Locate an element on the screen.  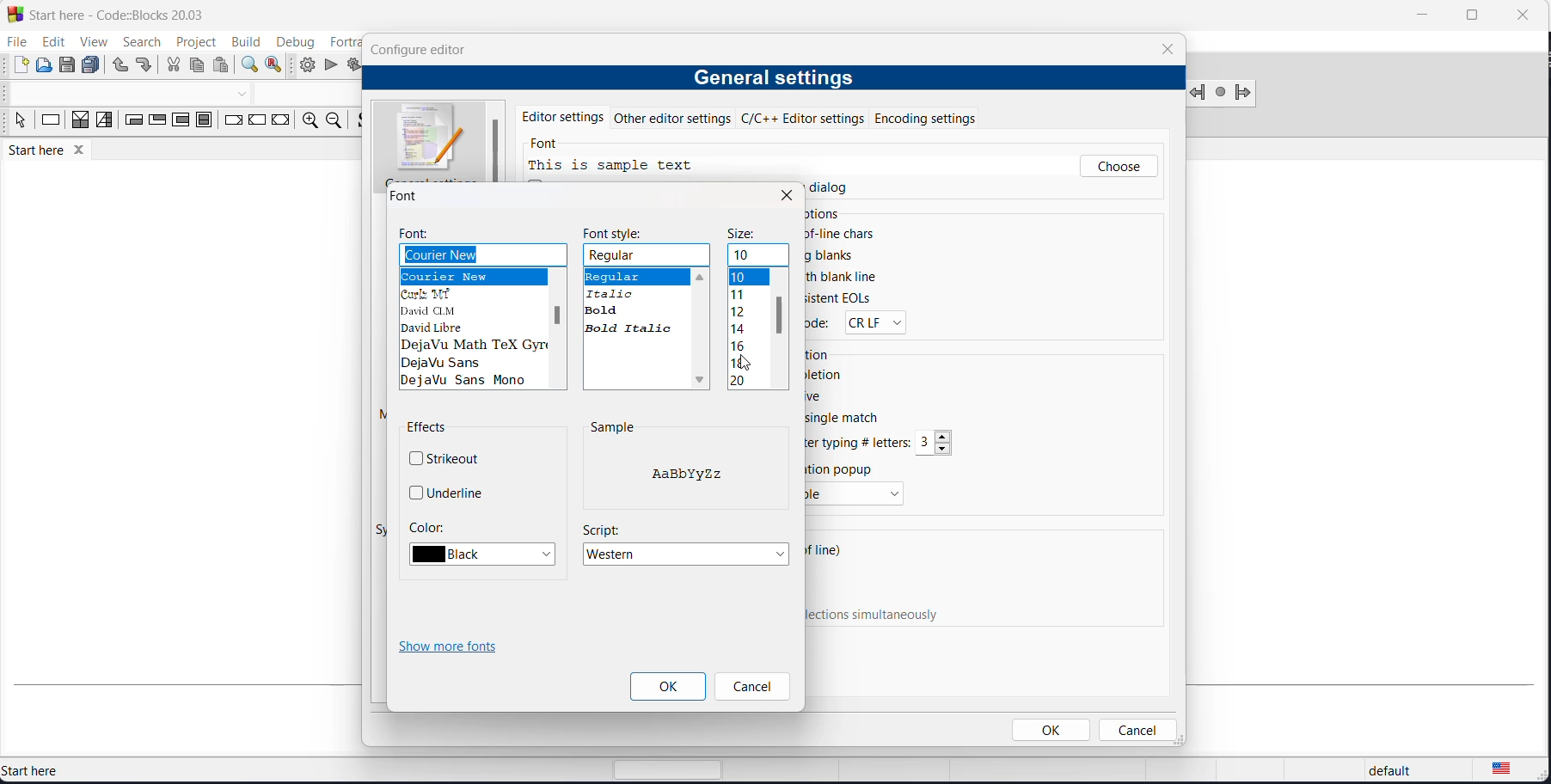
close is located at coordinates (786, 195).